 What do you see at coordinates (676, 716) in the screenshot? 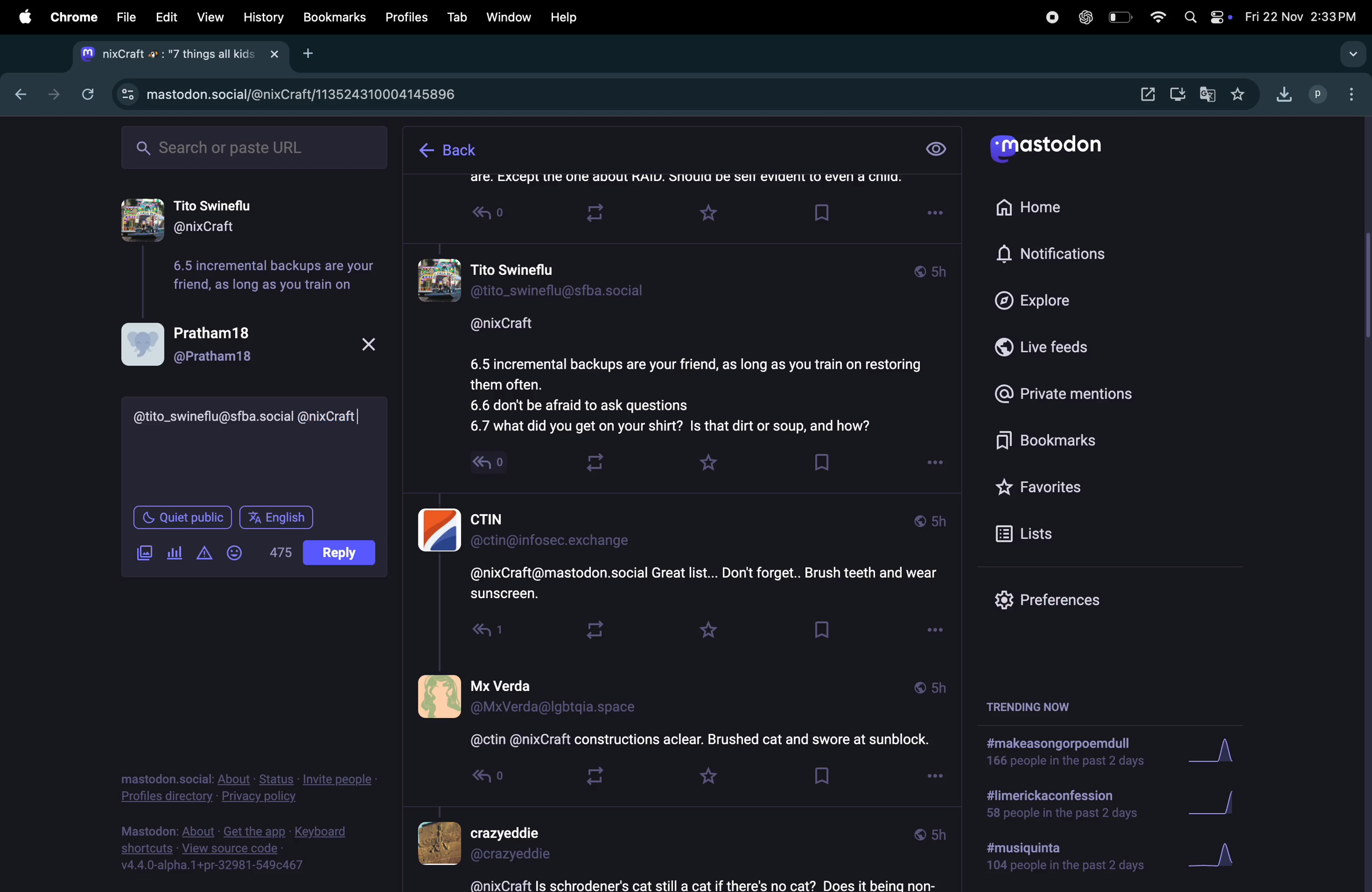
I see `thread` at bounding box center [676, 716].